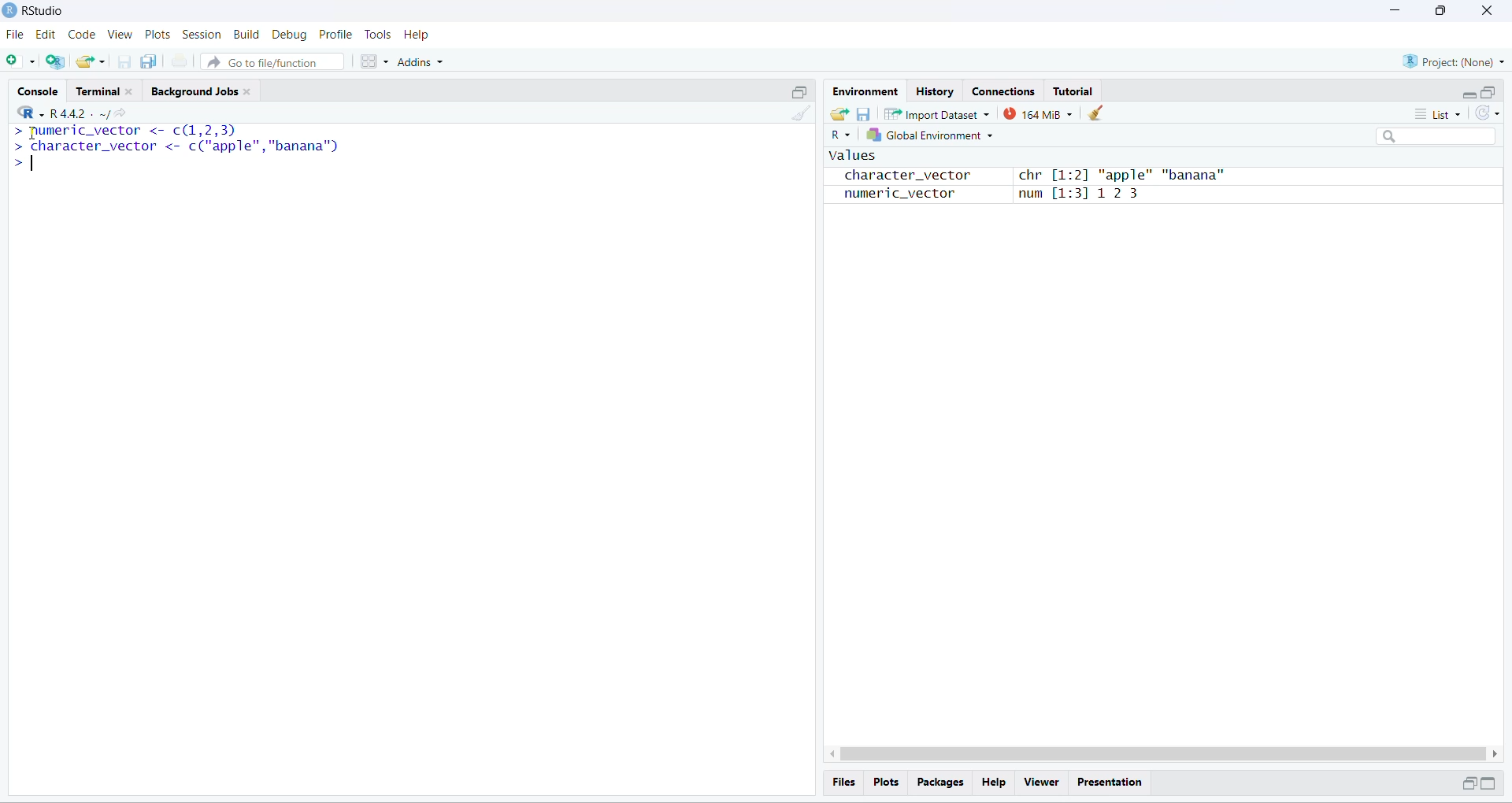 This screenshot has height=803, width=1512. I want to click on Go to file/function, so click(271, 62).